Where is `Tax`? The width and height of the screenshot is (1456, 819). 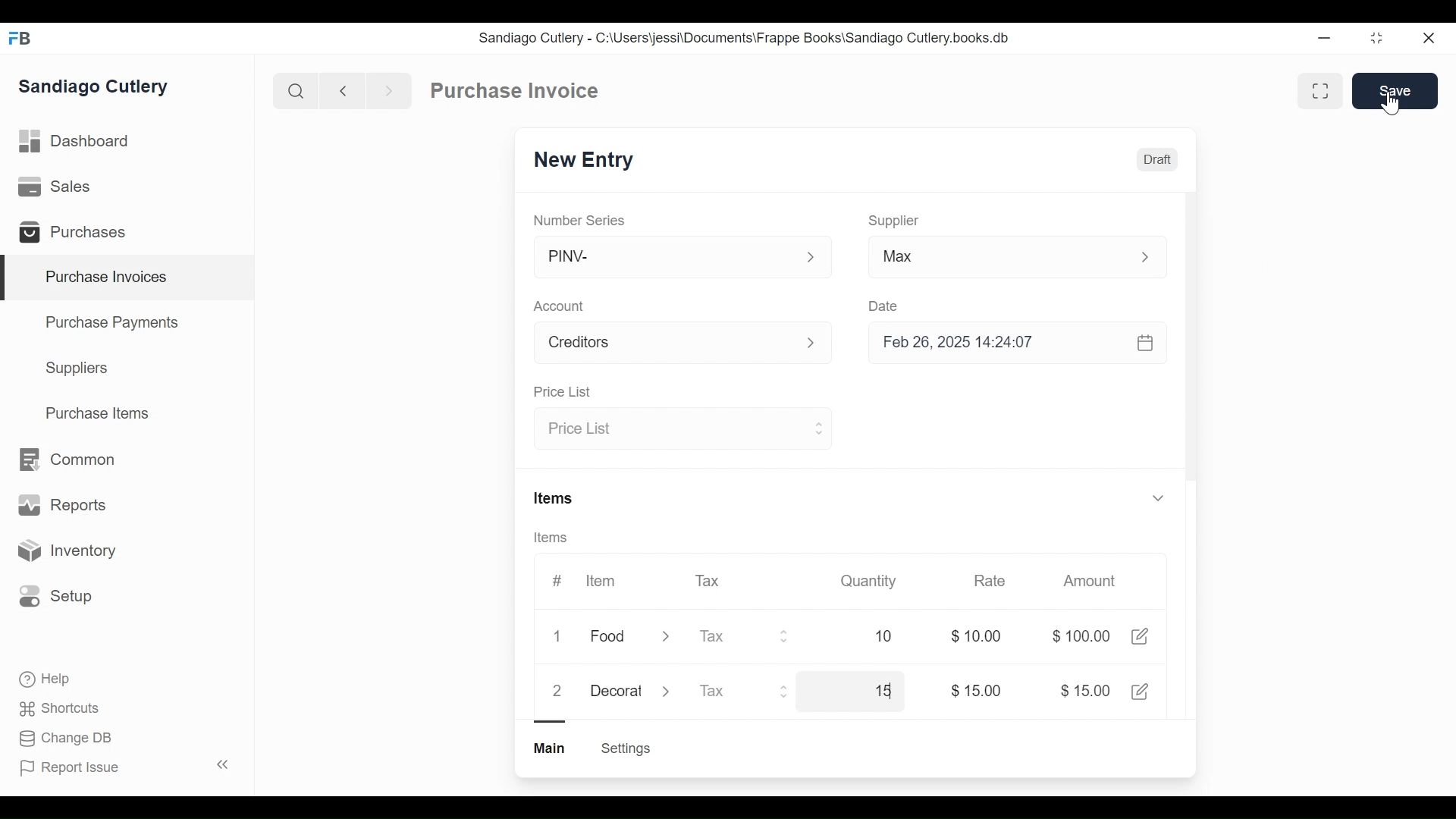
Tax is located at coordinates (730, 636).